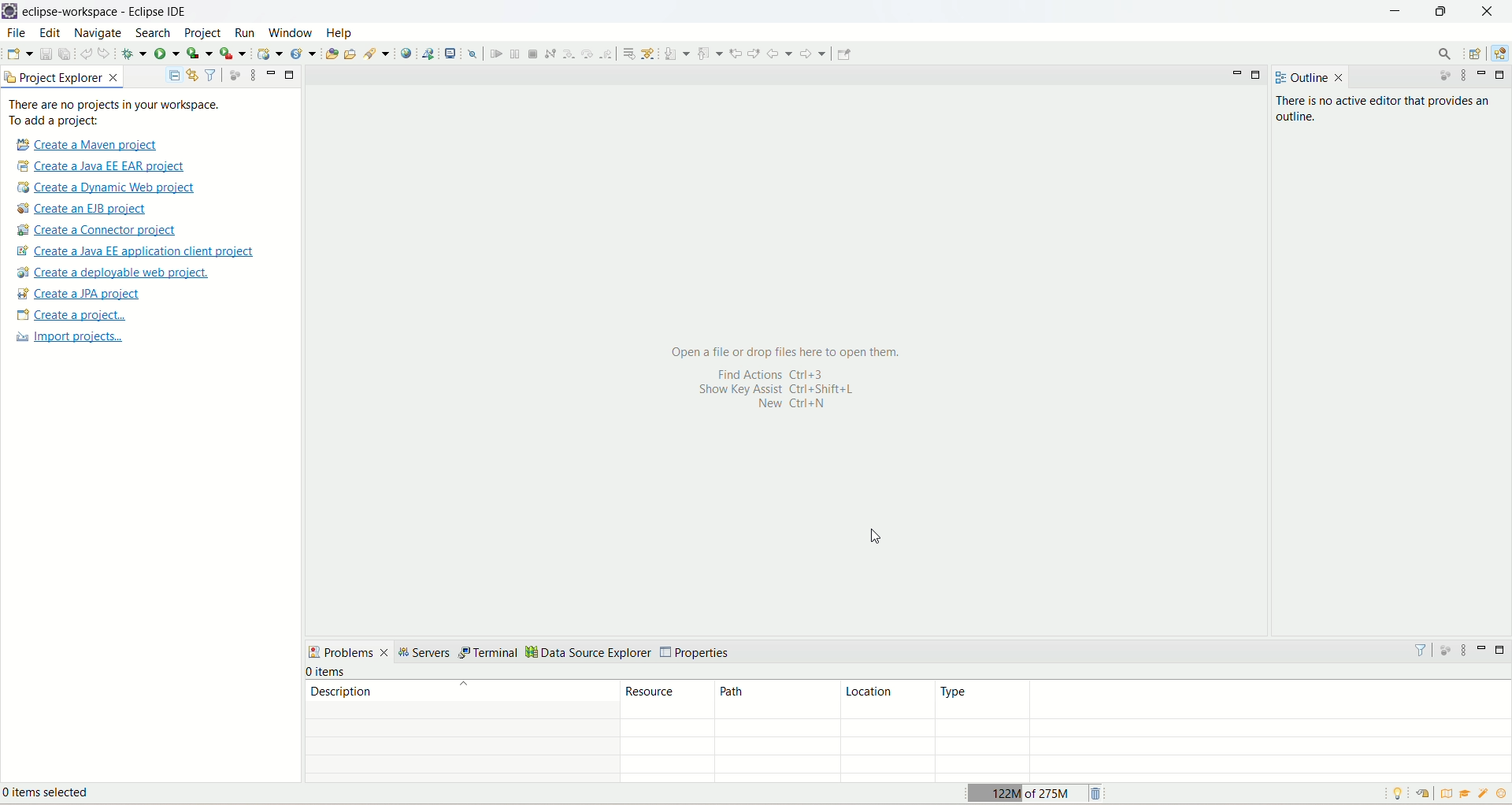  I want to click on create a deployable web project, so click(114, 273).